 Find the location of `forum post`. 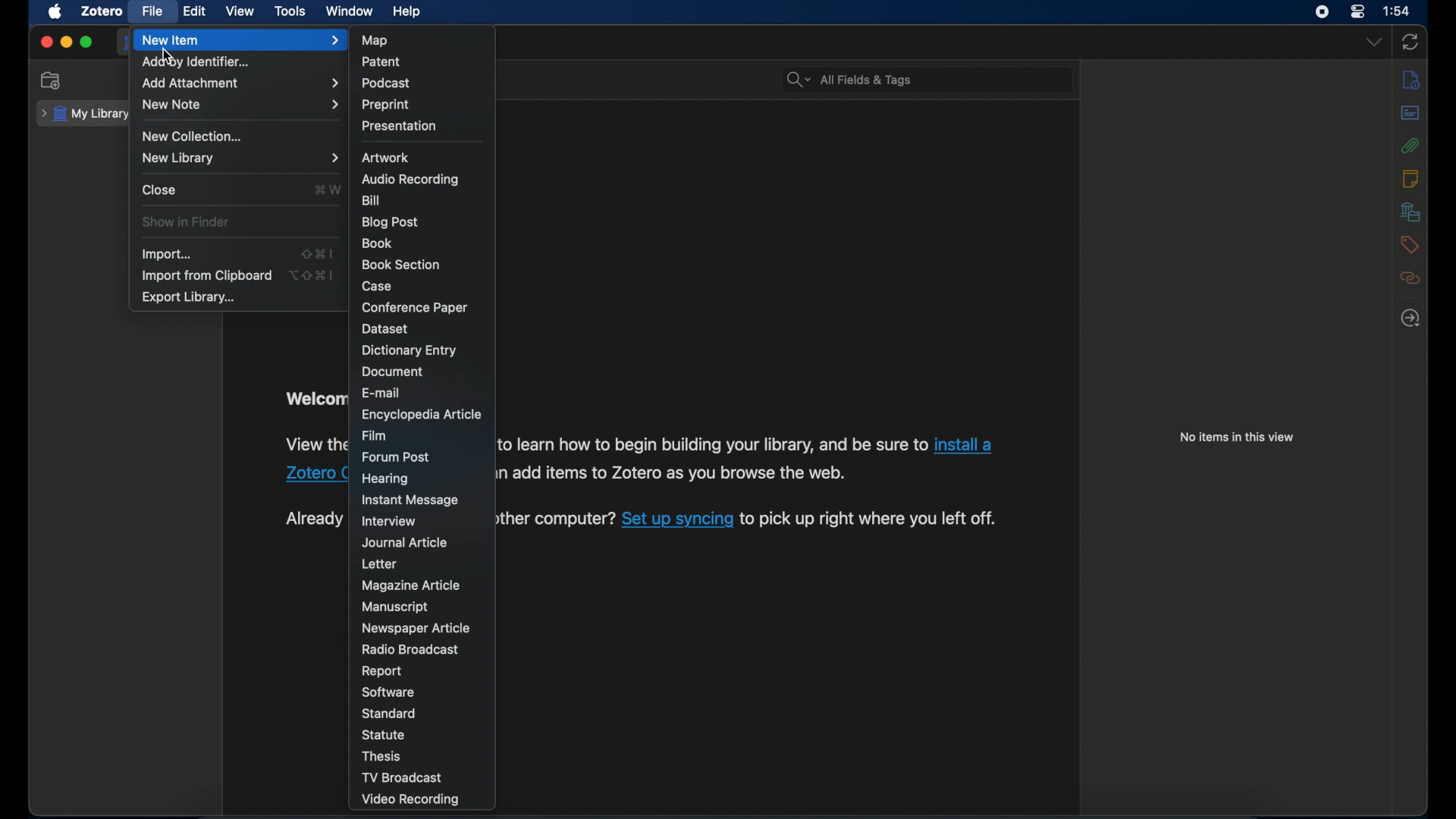

forum post is located at coordinates (395, 457).